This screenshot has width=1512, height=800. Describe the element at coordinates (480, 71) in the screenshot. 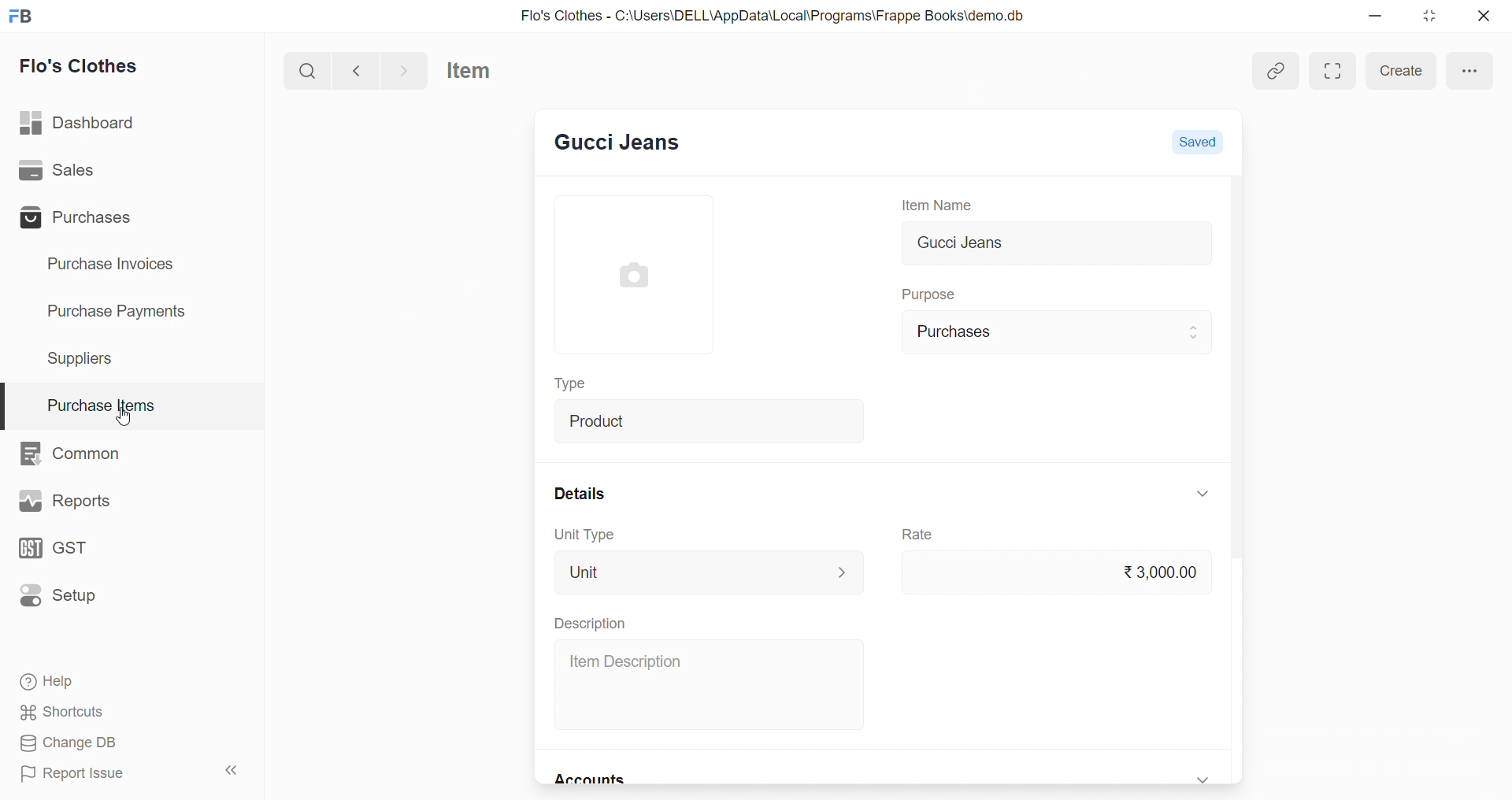

I see `Item` at that location.